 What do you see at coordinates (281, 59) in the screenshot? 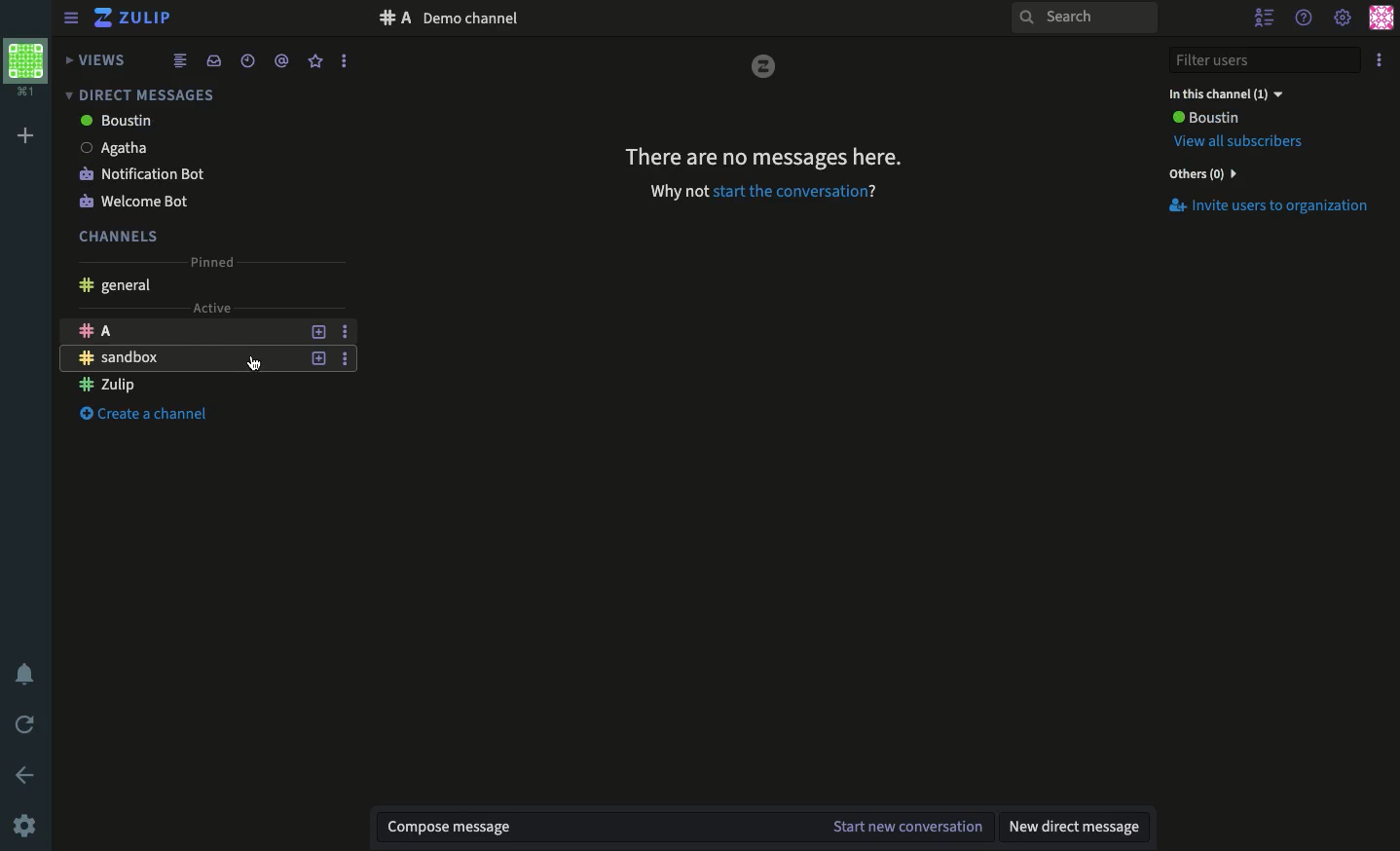
I see `Tag` at bounding box center [281, 59].